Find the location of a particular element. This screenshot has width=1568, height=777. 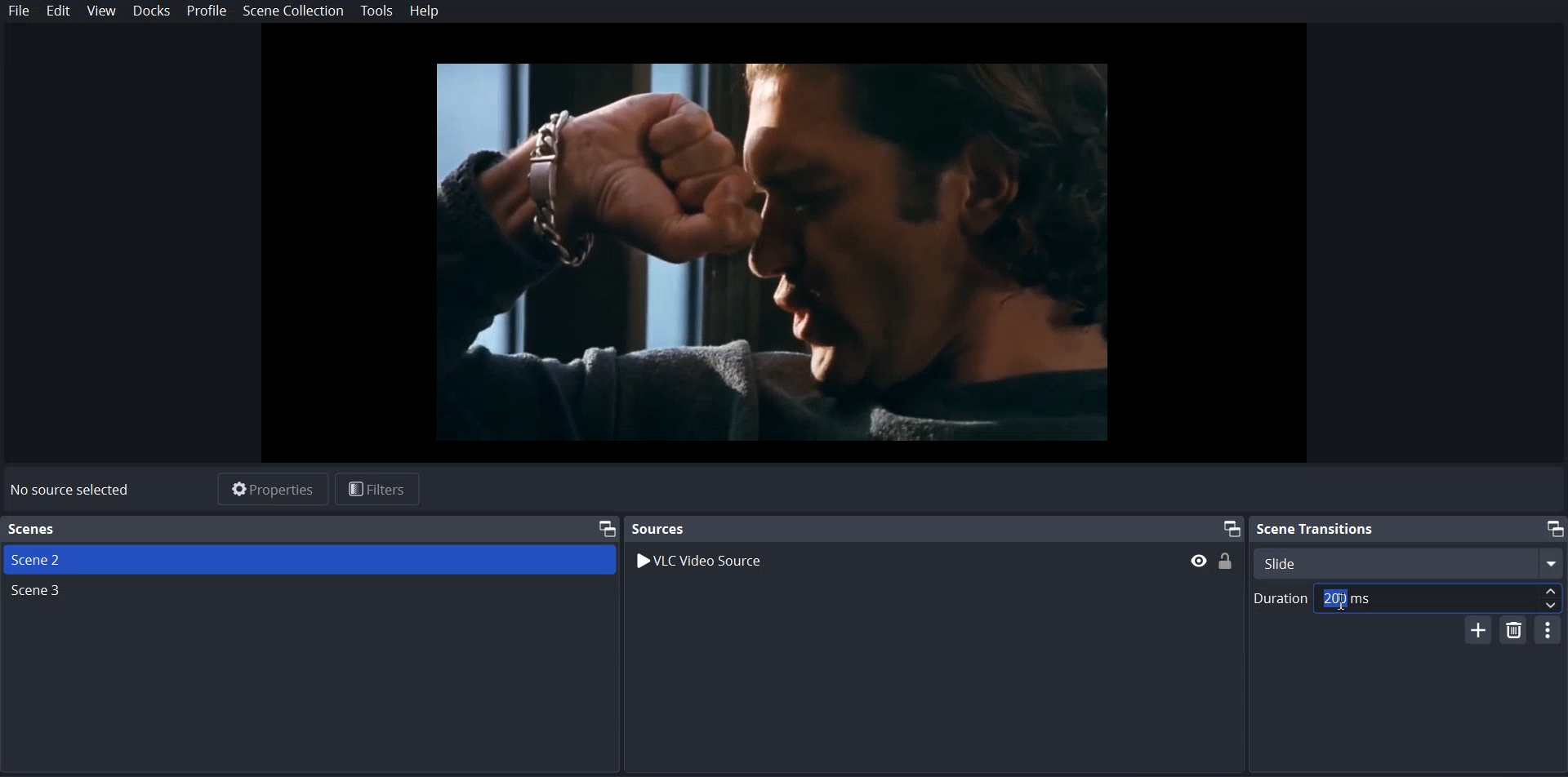

Tools is located at coordinates (377, 11).